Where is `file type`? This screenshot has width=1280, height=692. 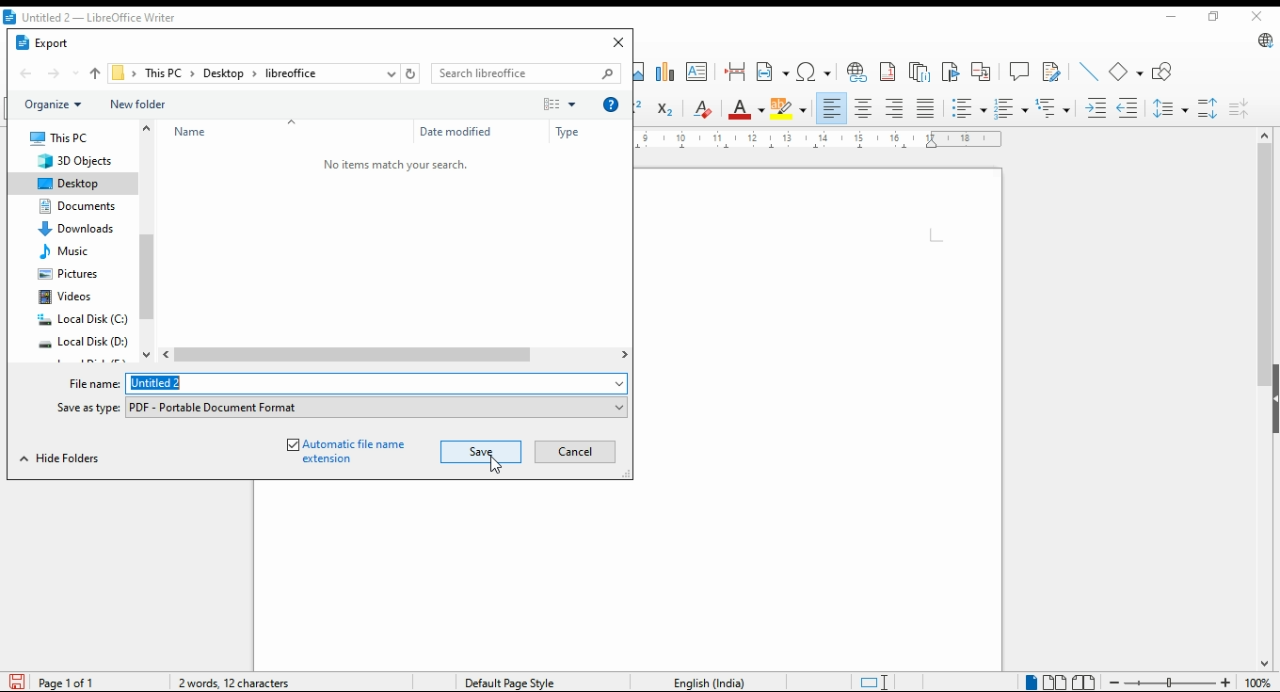 file type is located at coordinates (88, 409).